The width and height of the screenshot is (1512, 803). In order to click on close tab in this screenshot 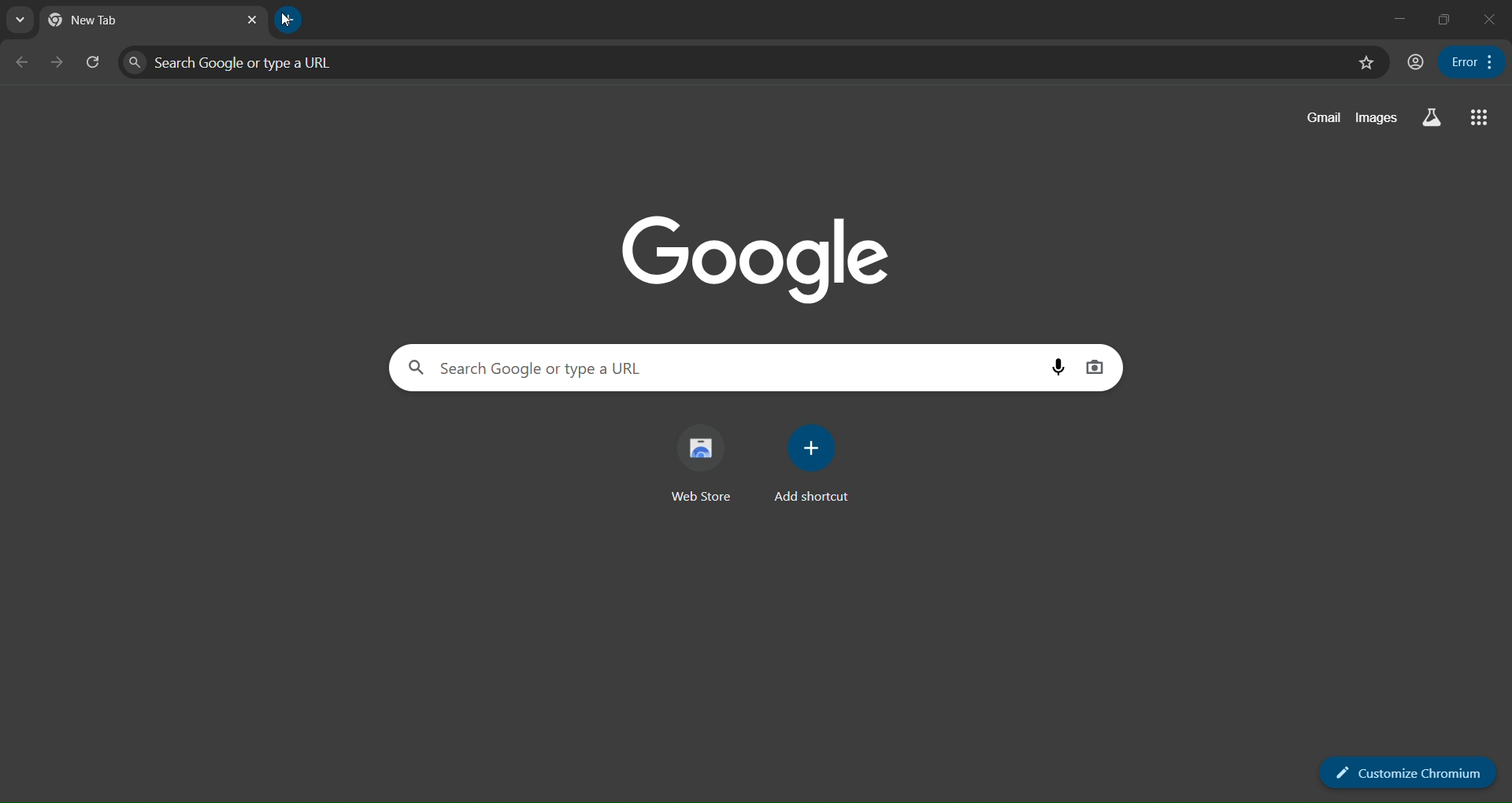, I will do `click(246, 20)`.